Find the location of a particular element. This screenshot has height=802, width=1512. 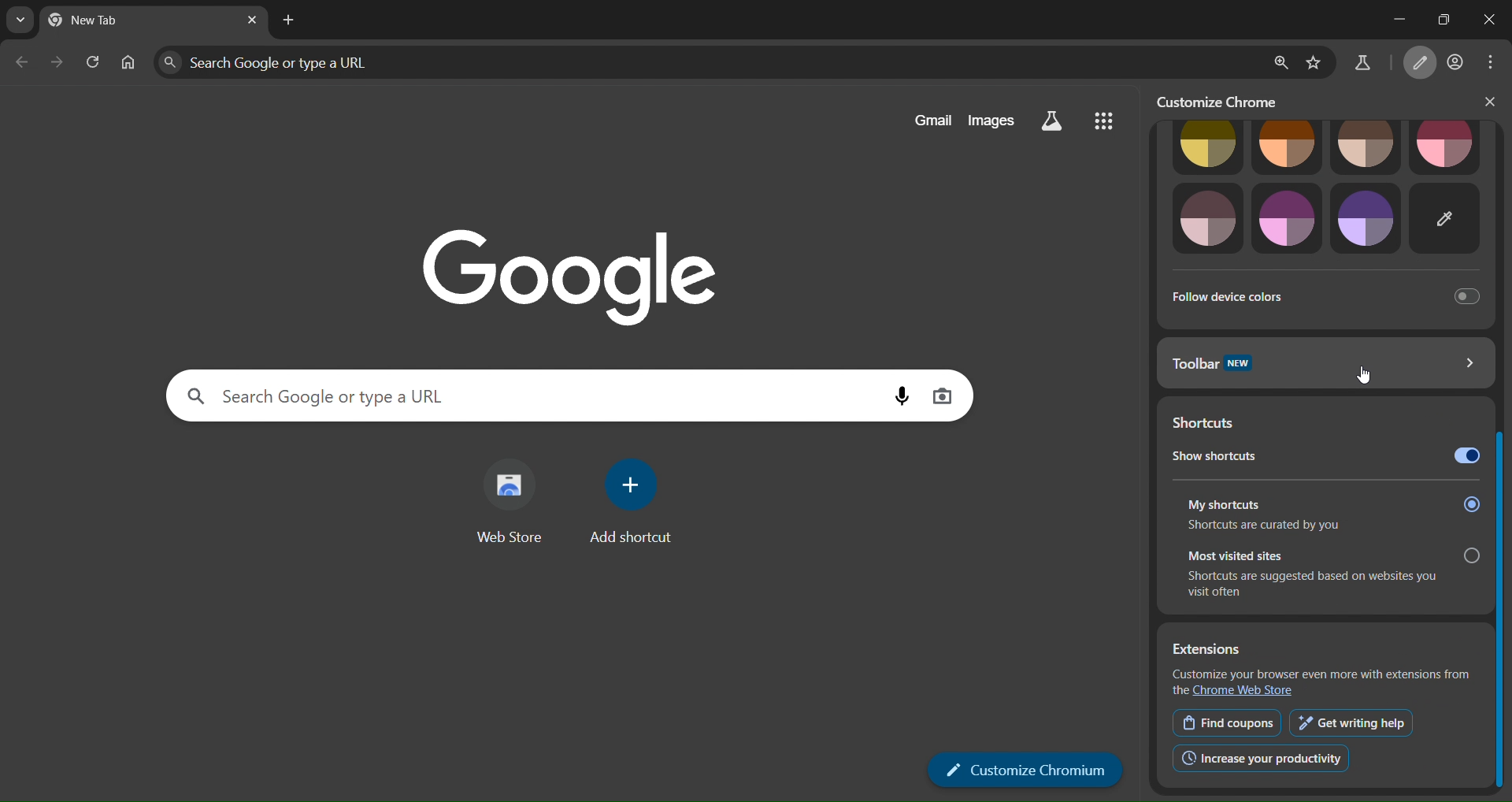

Increase your productivity is located at coordinates (1257, 758).